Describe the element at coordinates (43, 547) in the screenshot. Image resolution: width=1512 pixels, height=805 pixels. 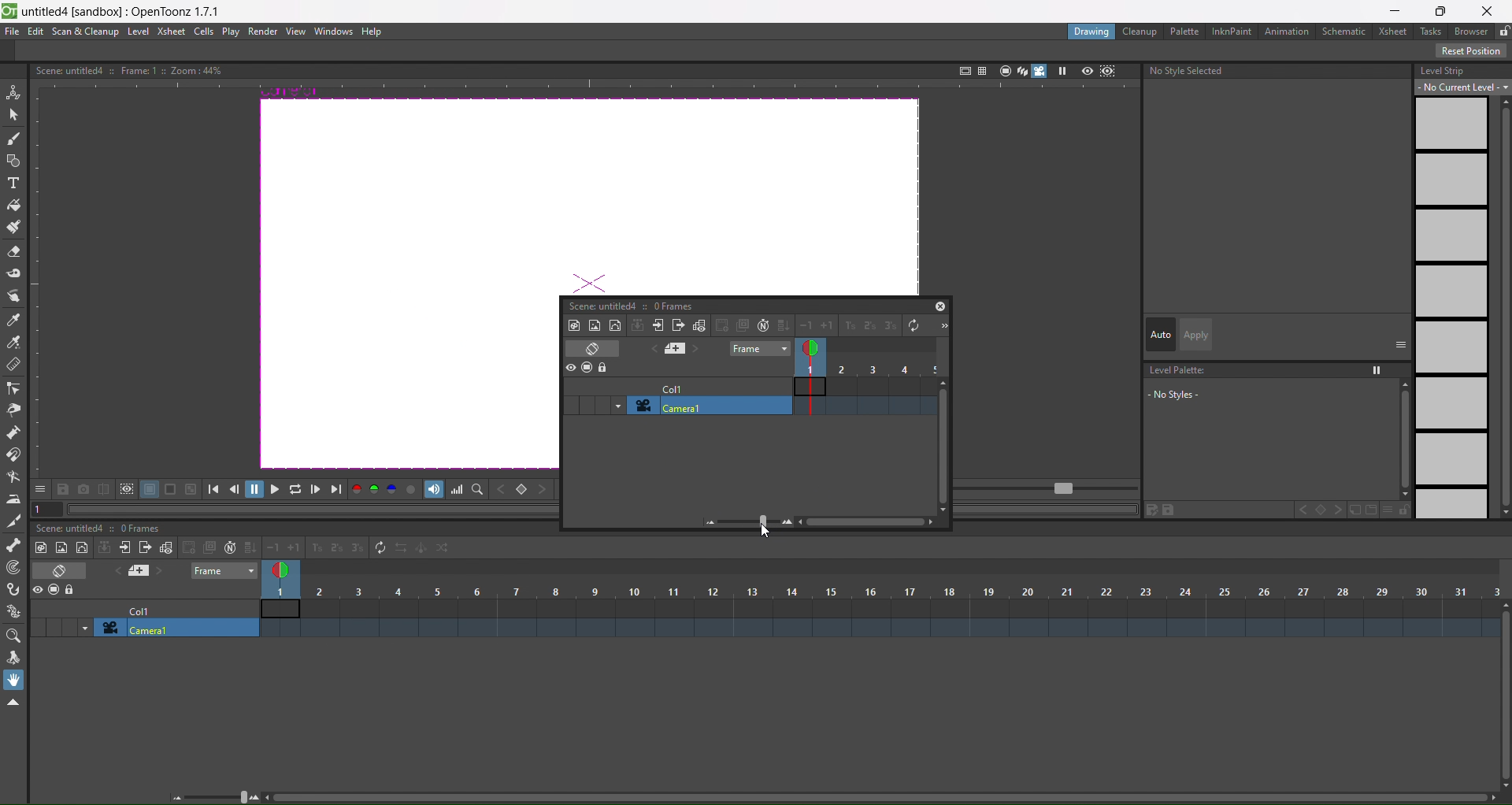
I see `new toonz raster level` at that location.